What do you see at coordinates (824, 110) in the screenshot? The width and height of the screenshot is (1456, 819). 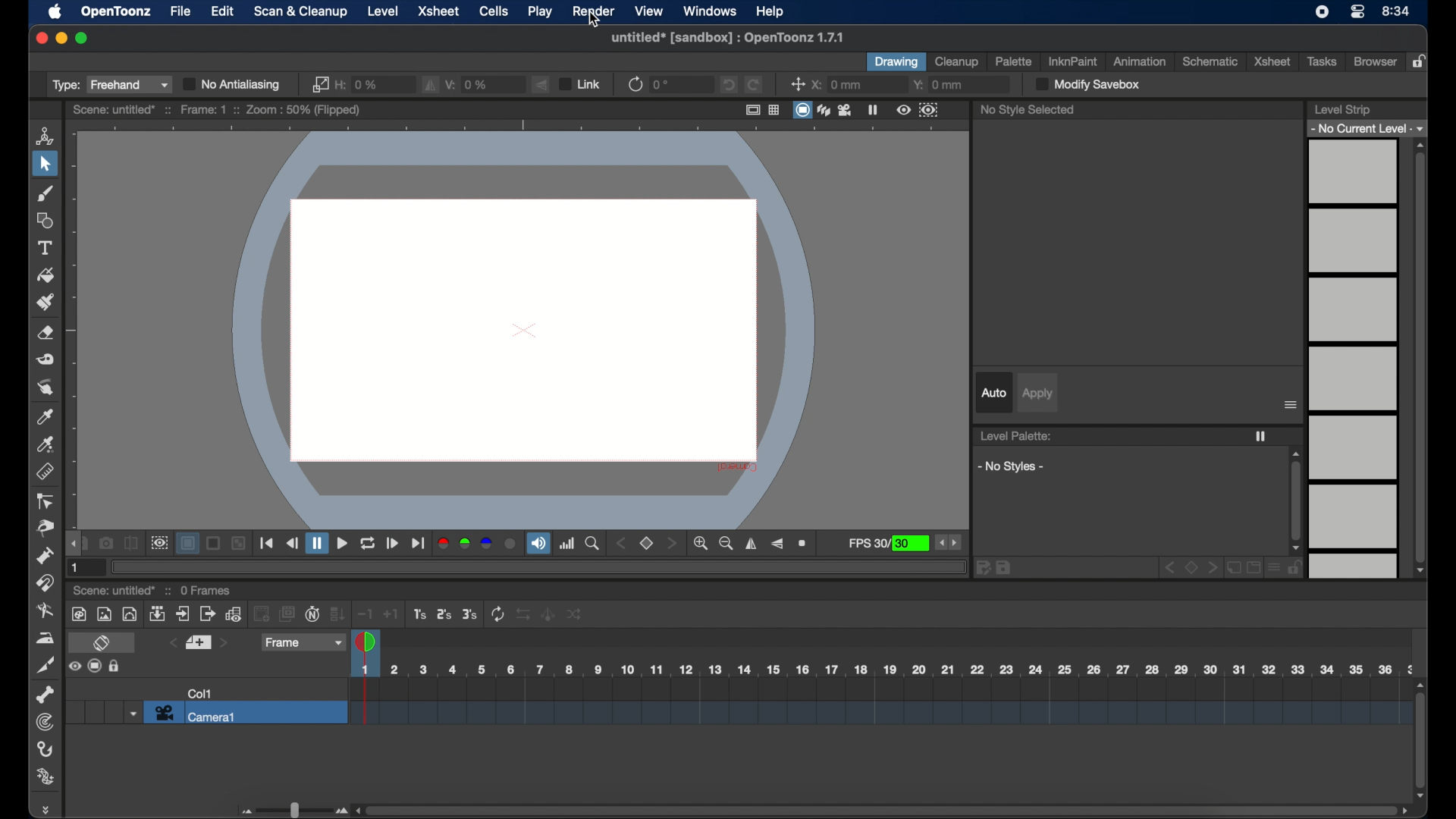 I see `view modes` at bounding box center [824, 110].